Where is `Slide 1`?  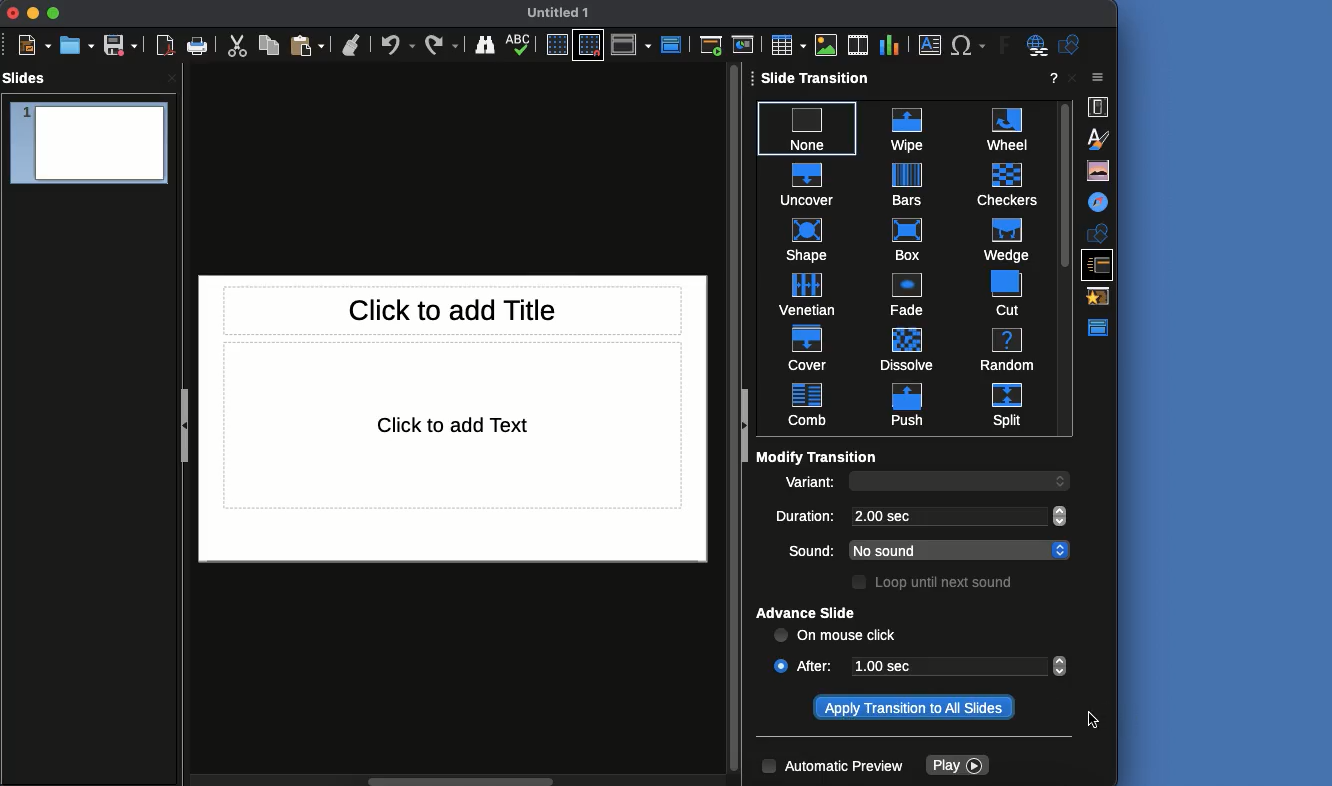
Slide 1 is located at coordinates (89, 146).